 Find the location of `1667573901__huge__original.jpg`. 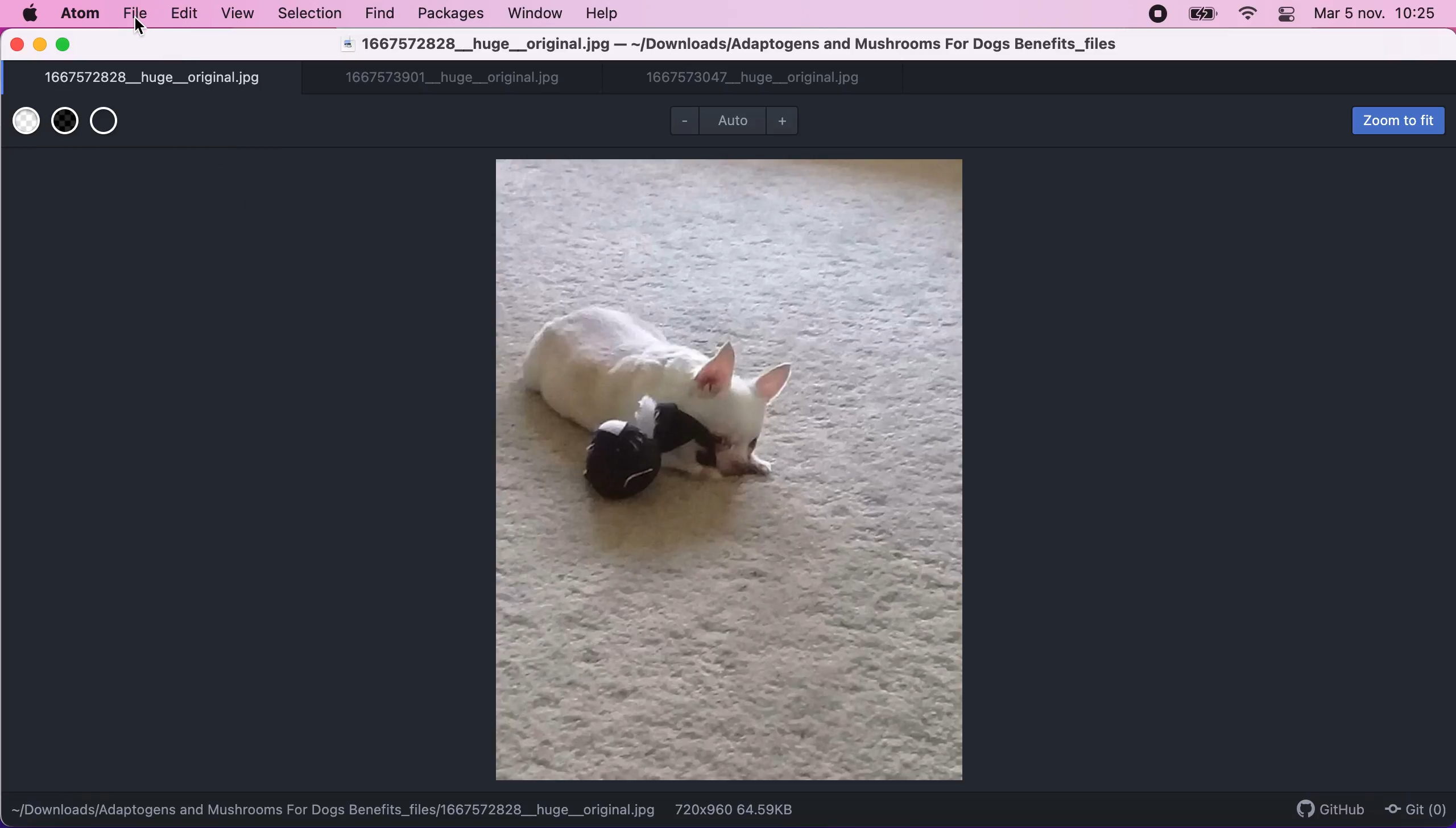

1667573901__huge__original.jpg is located at coordinates (458, 80).